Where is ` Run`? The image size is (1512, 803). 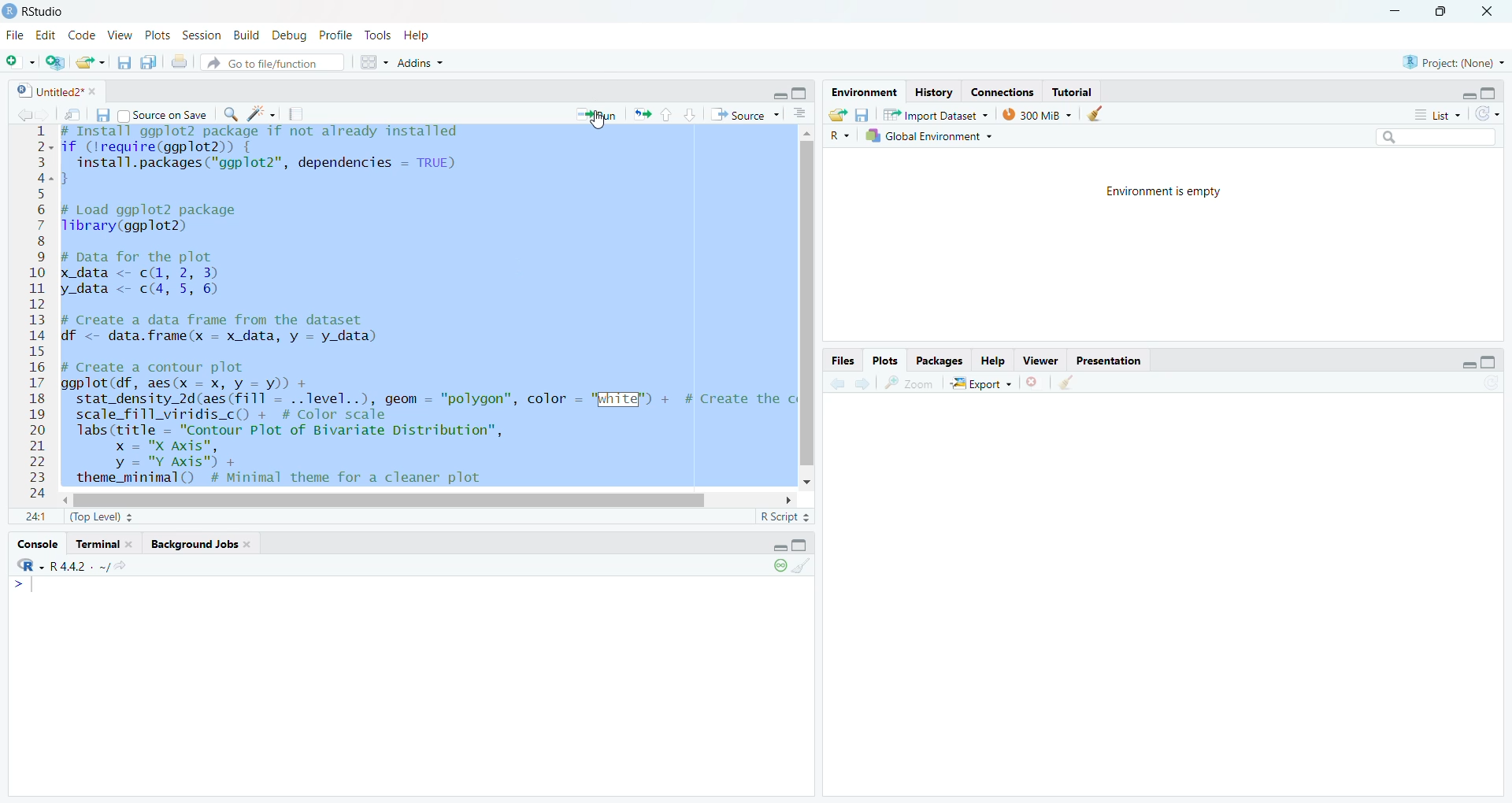  Run is located at coordinates (598, 116).